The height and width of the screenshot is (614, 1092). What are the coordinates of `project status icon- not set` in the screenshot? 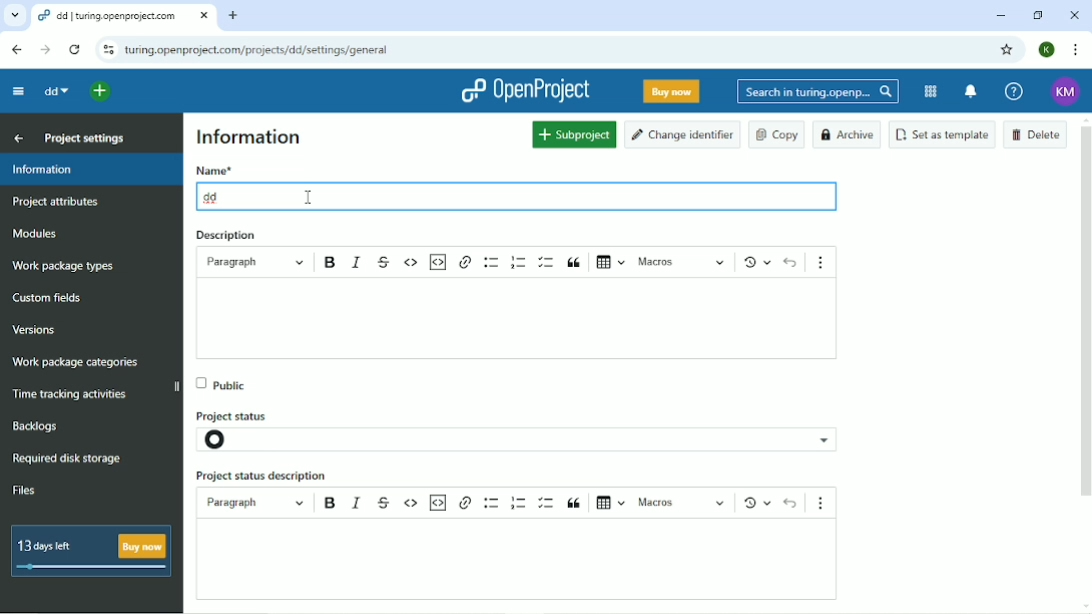 It's located at (231, 440).